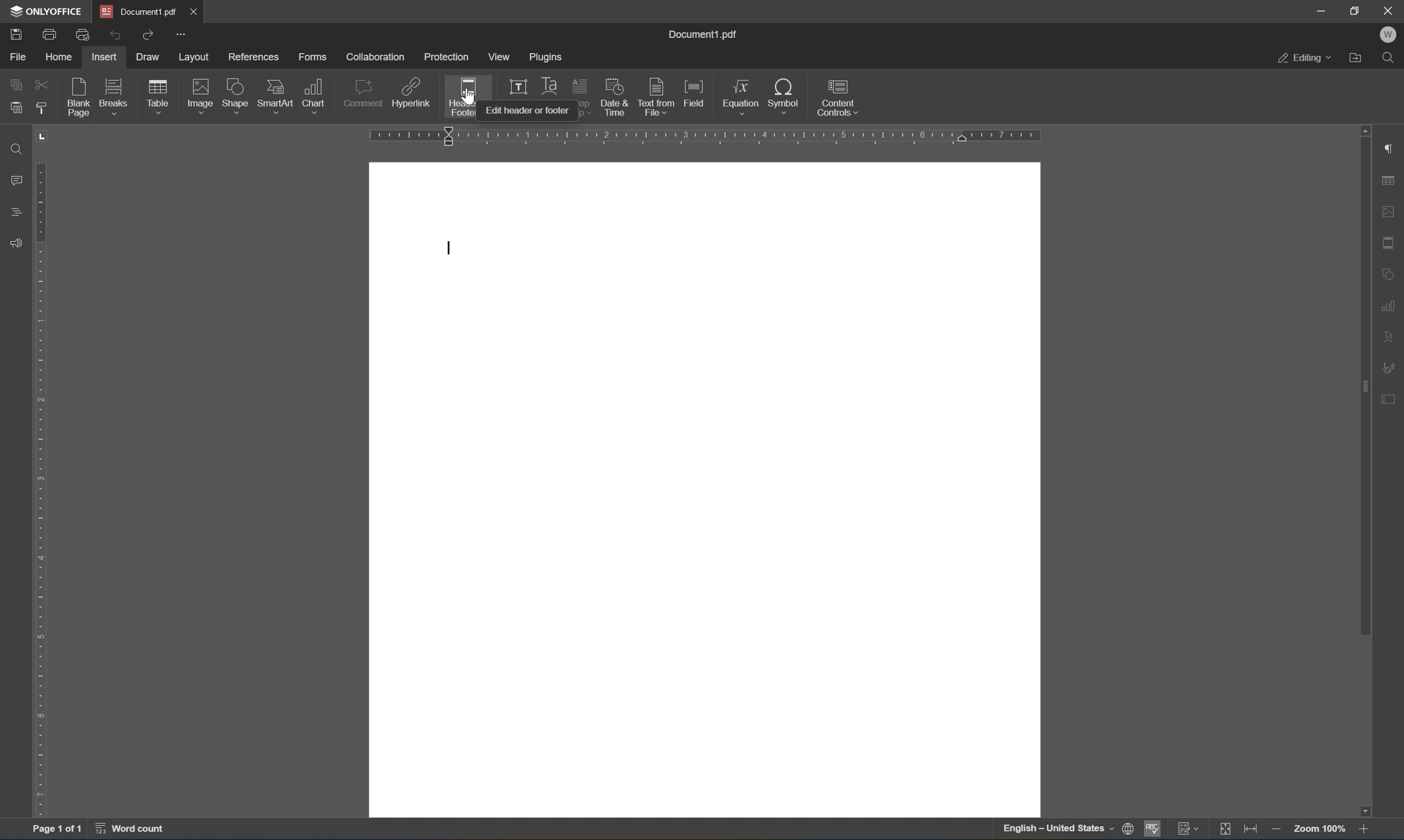  Describe the element at coordinates (461, 98) in the screenshot. I see `header & footer` at that location.